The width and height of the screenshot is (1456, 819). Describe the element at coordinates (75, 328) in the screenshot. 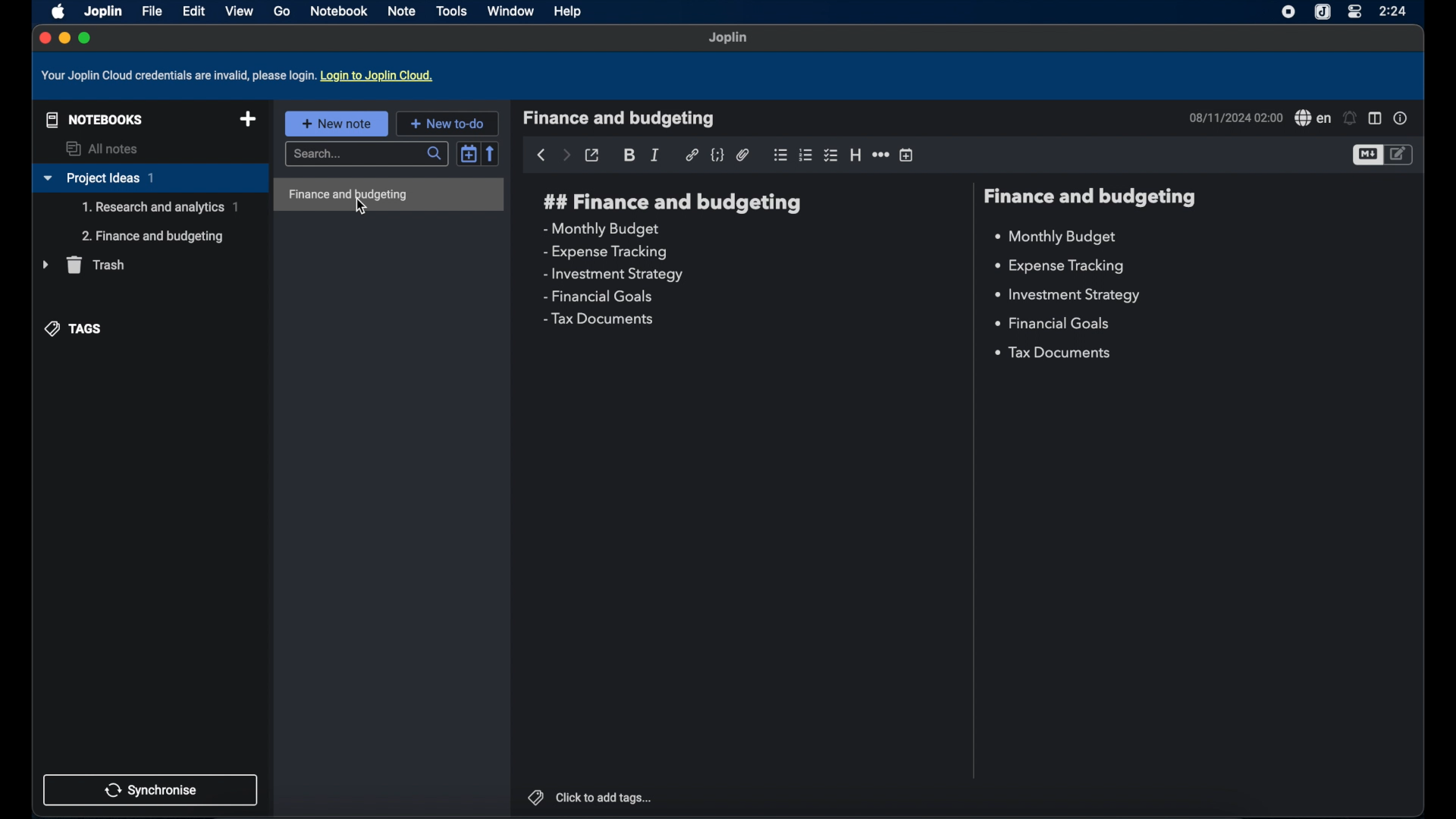

I see `tags` at that location.